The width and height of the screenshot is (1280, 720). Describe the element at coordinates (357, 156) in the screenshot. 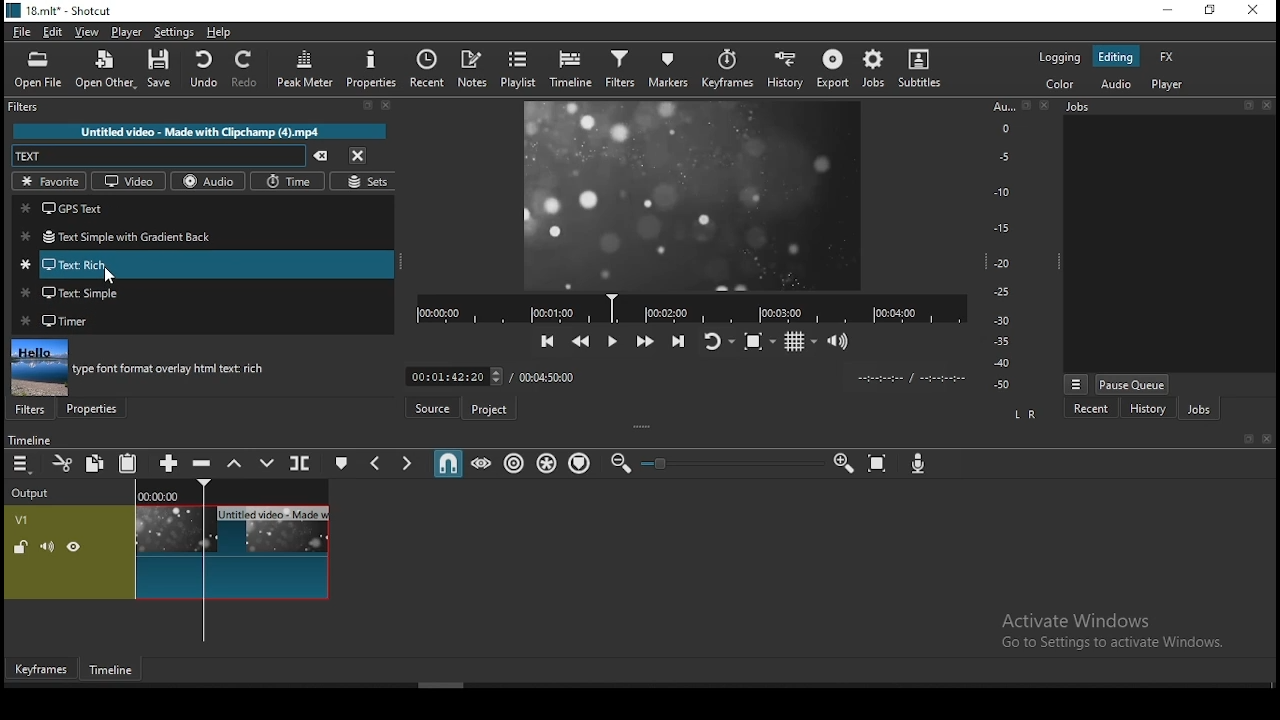

I see `close menu` at that location.